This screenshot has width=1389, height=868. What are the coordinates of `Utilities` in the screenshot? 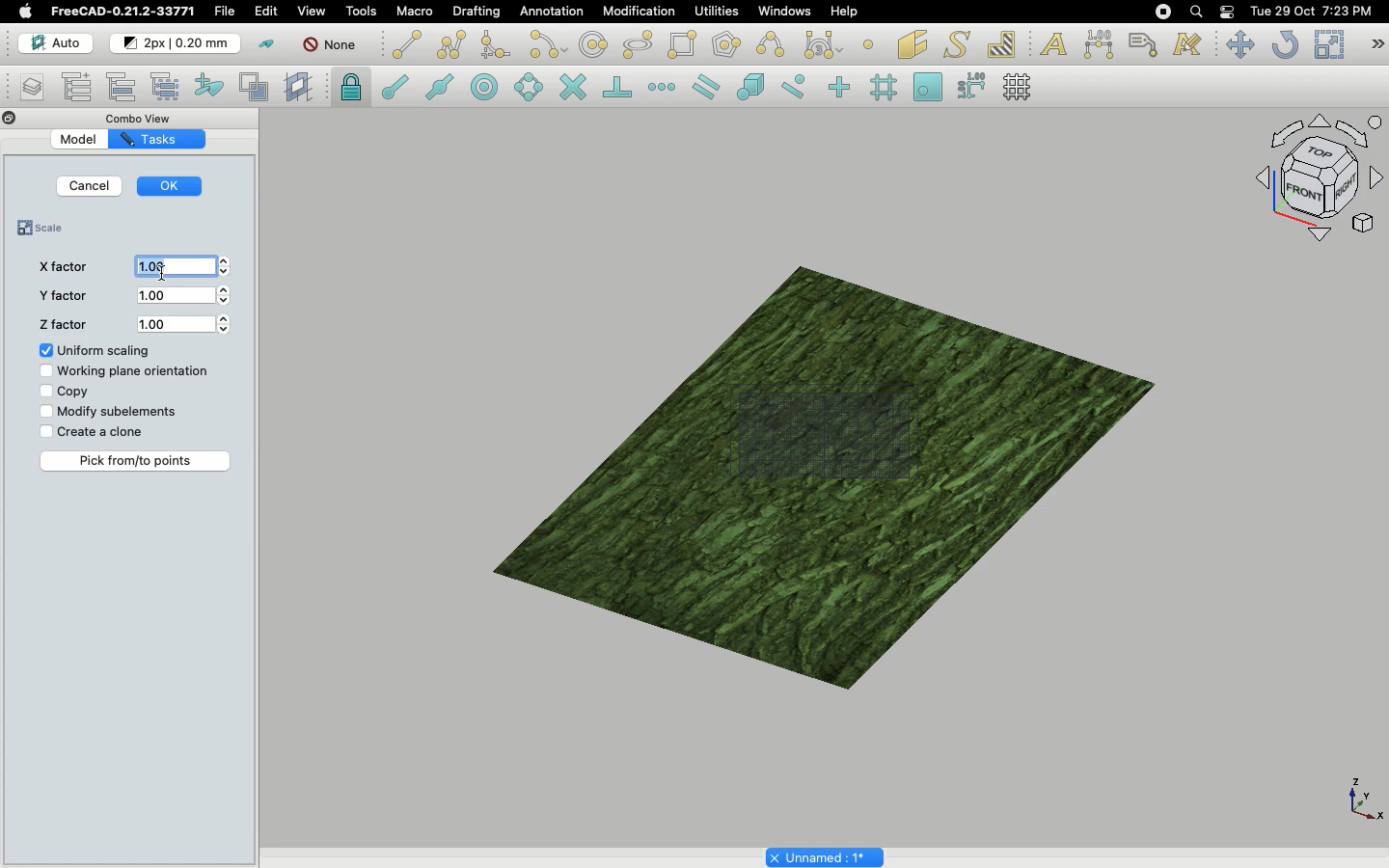 It's located at (713, 12).